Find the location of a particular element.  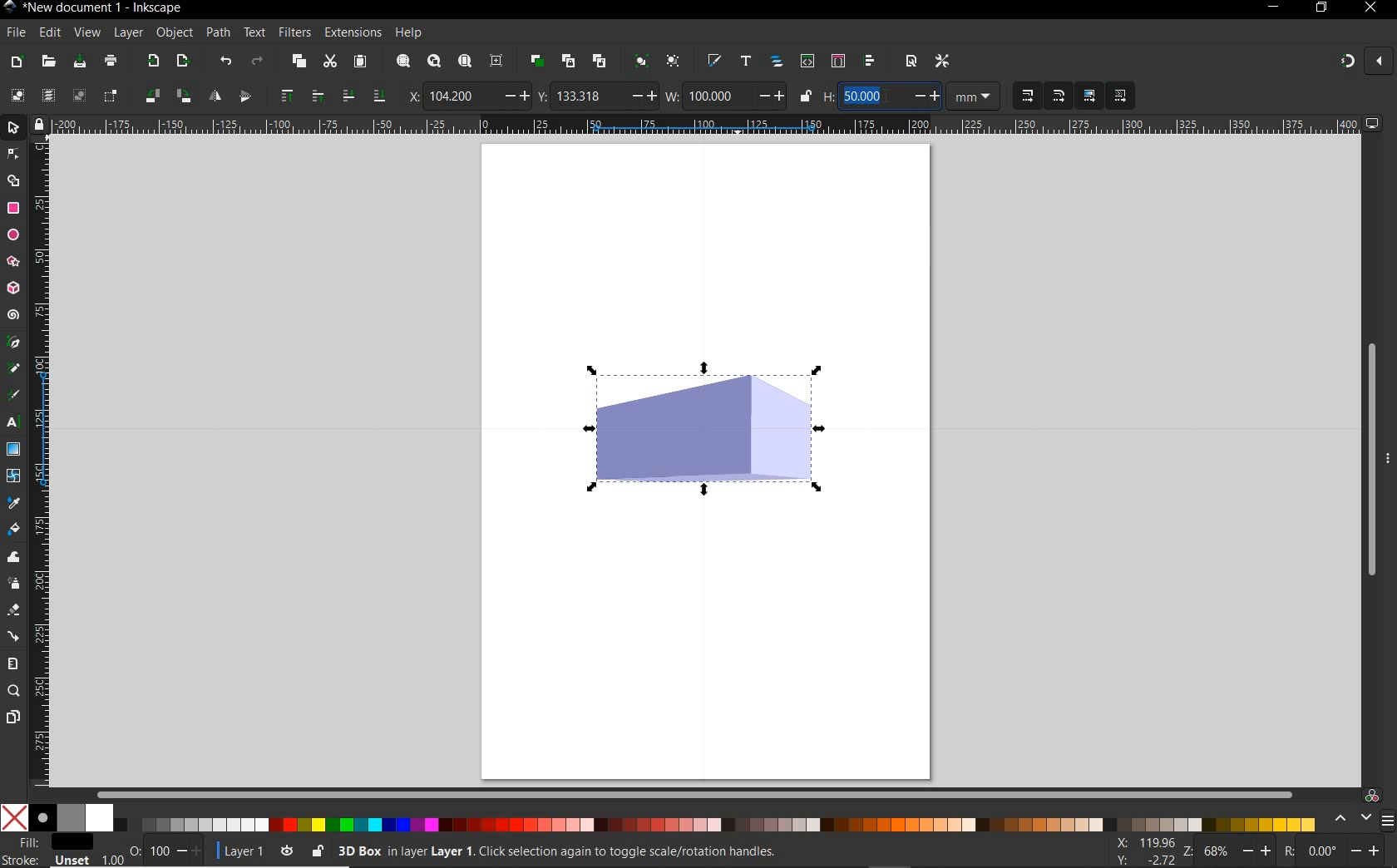

shape builder tool is located at coordinates (16, 181).